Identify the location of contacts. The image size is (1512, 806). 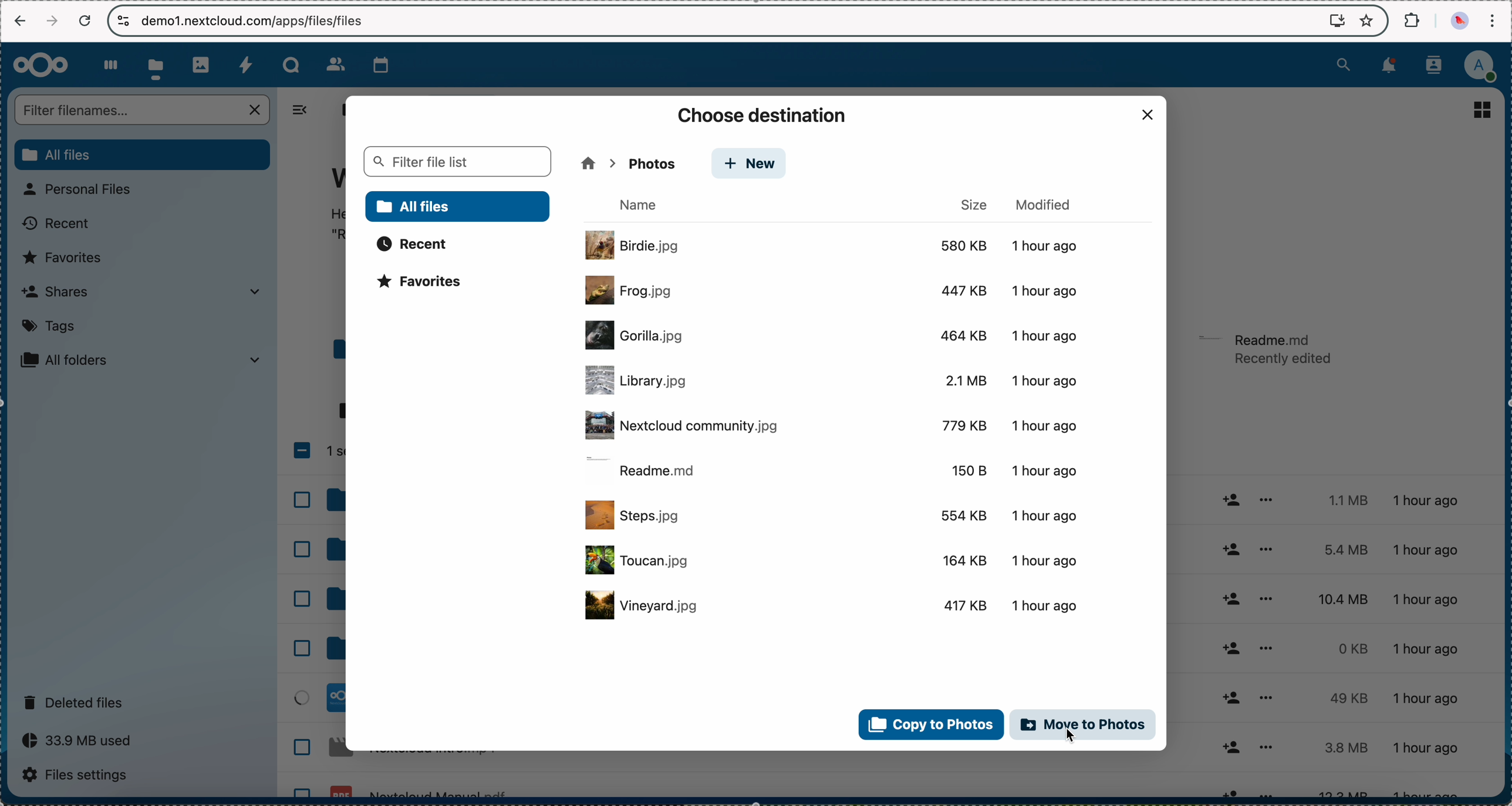
(1437, 64).